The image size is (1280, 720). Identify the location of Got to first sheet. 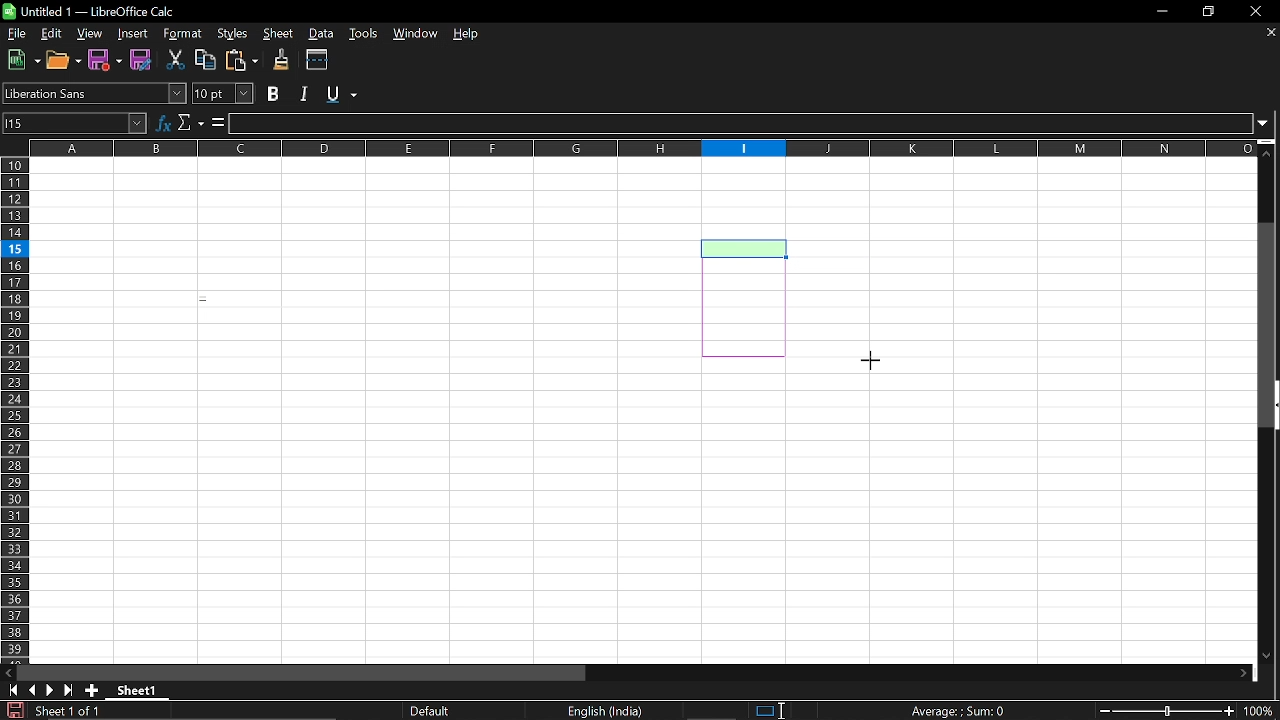
(14, 690).